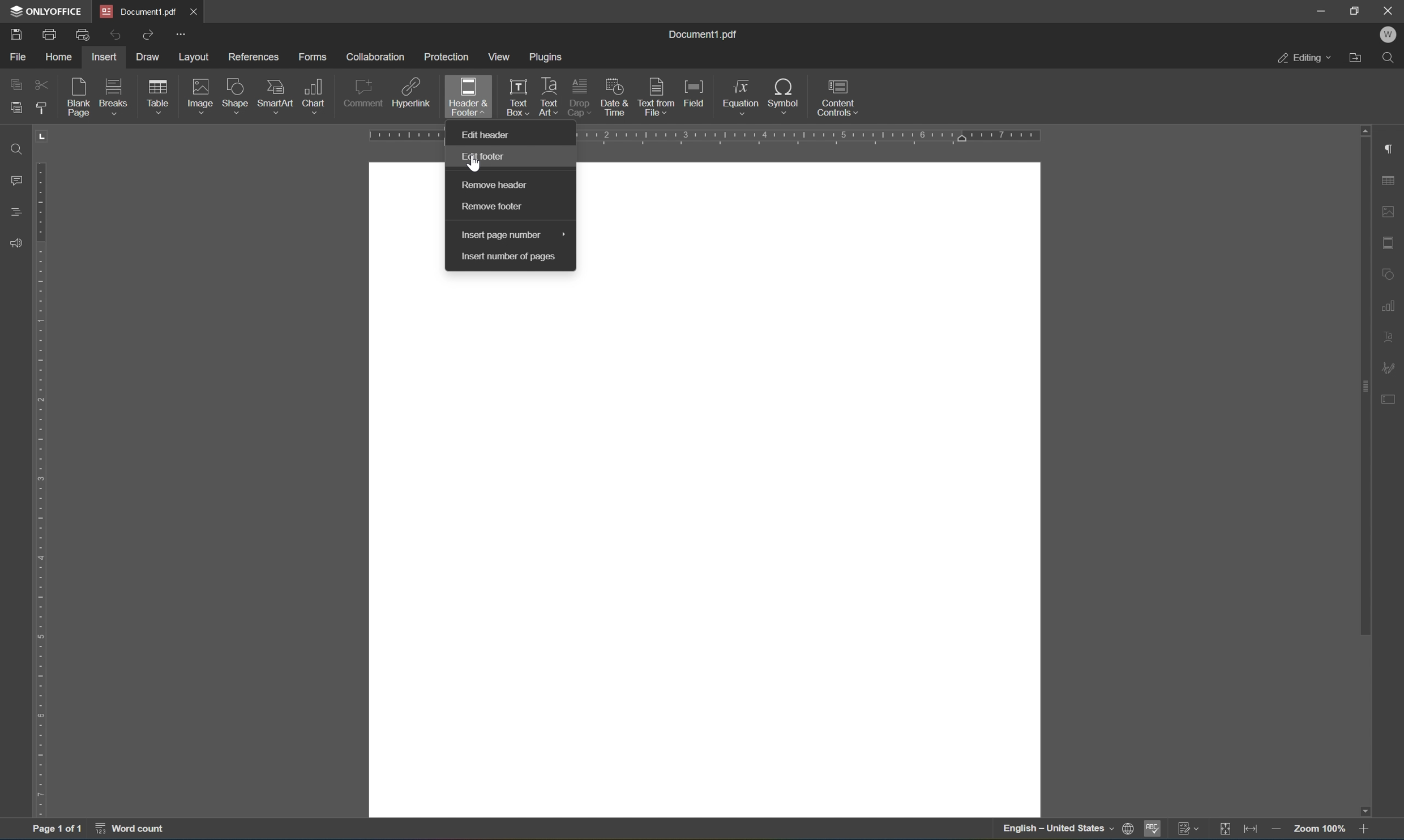 Image resolution: width=1404 pixels, height=840 pixels. What do you see at coordinates (411, 92) in the screenshot?
I see `hyperlink` at bounding box center [411, 92].